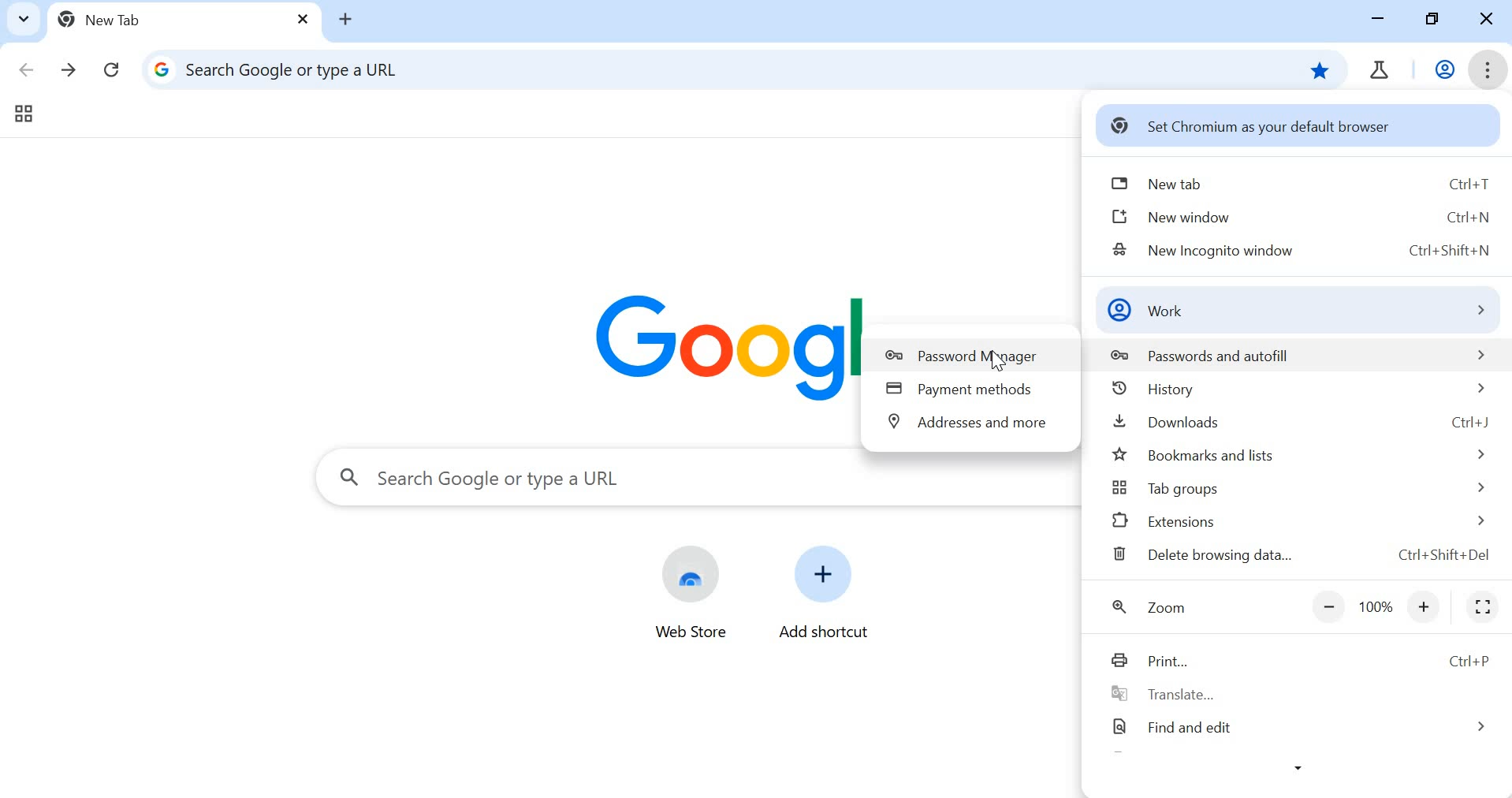 The height and width of the screenshot is (798, 1512). Describe the element at coordinates (1380, 69) in the screenshot. I see `chrome tab` at that location.